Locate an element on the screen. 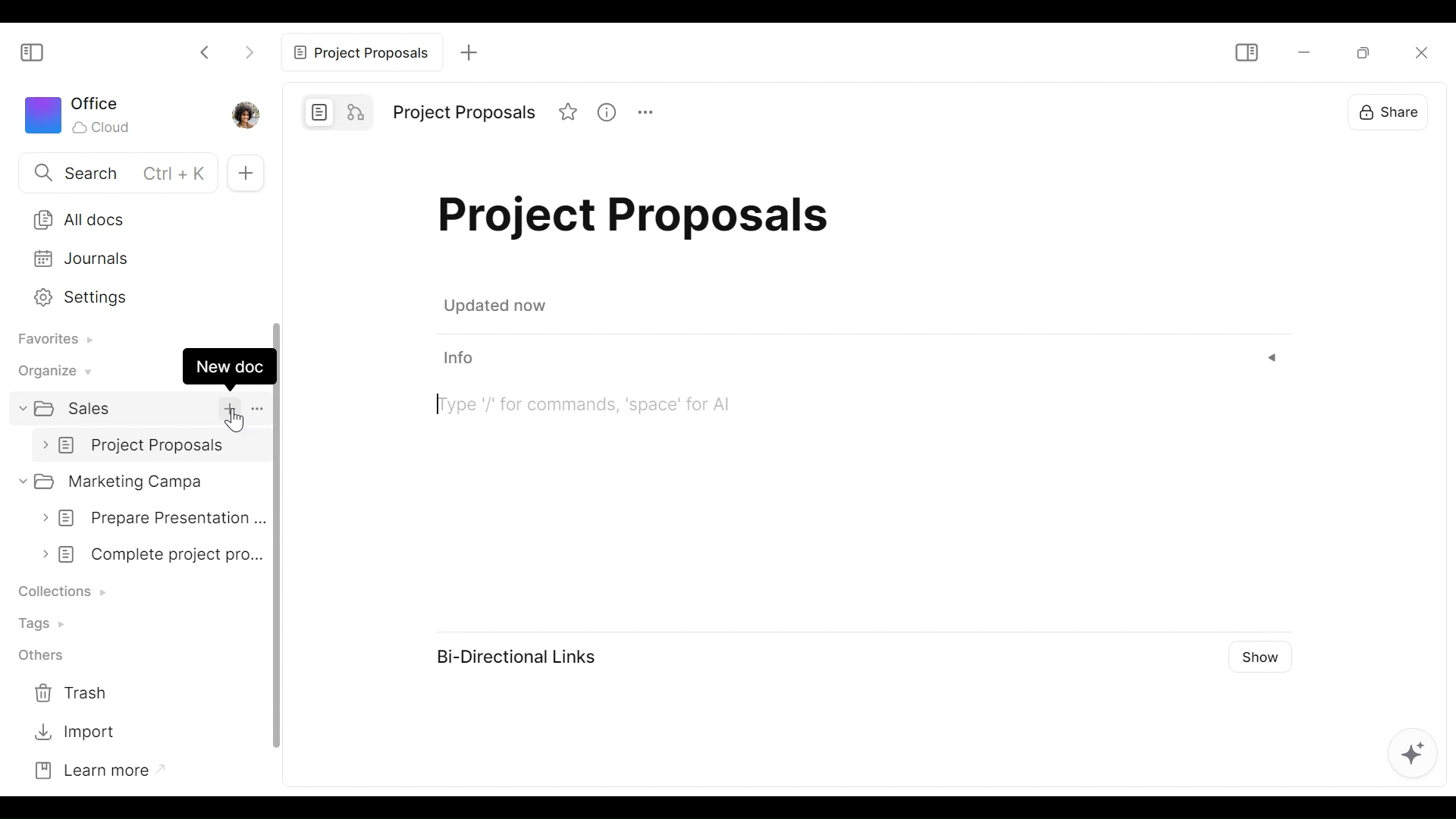 The width and height of the screenshot is (1456, 819). sales is located at coordinates (95, 411).